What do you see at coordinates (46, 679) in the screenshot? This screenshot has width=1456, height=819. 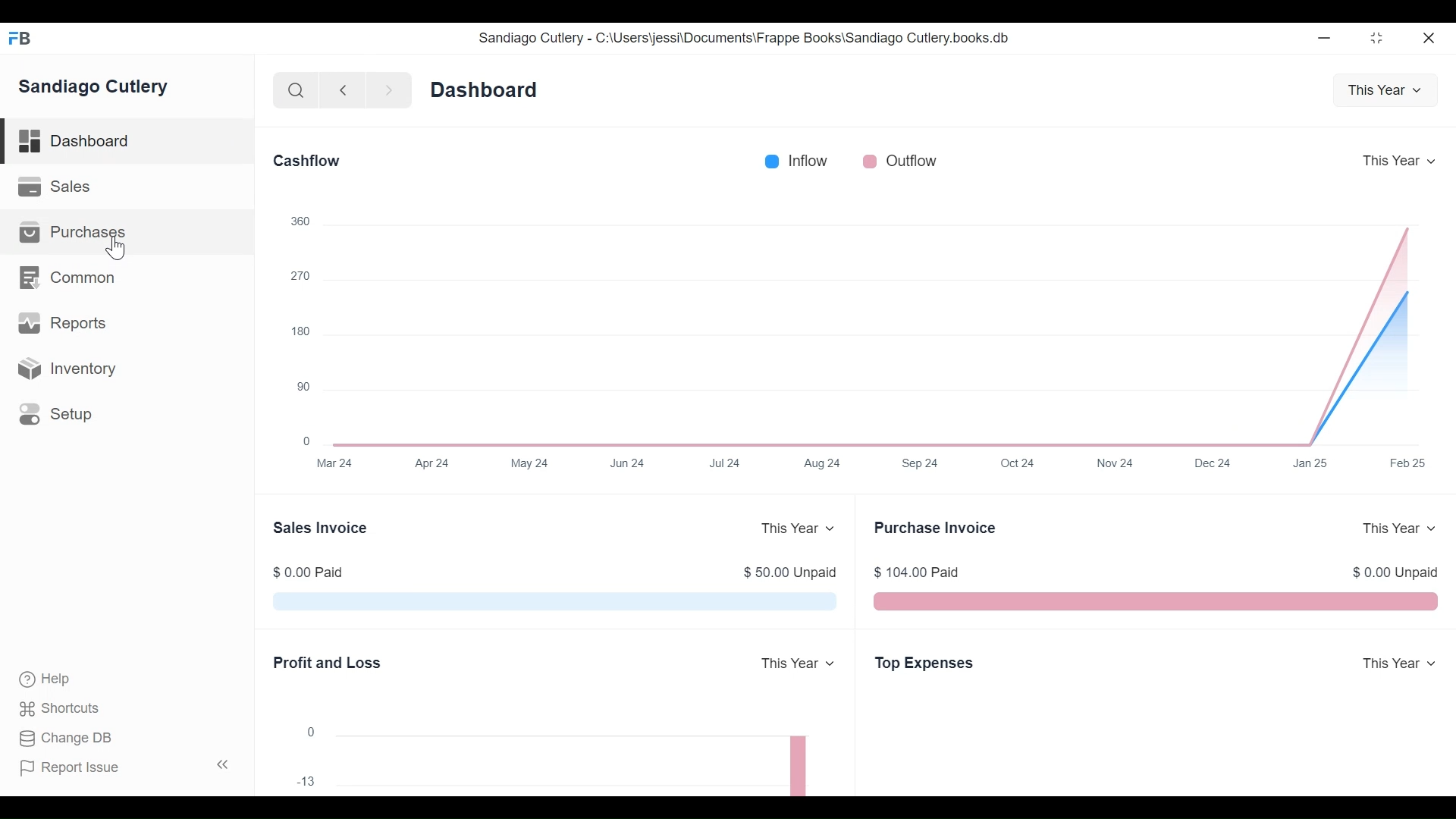 I see `Help` at bounding box center [46, 679].